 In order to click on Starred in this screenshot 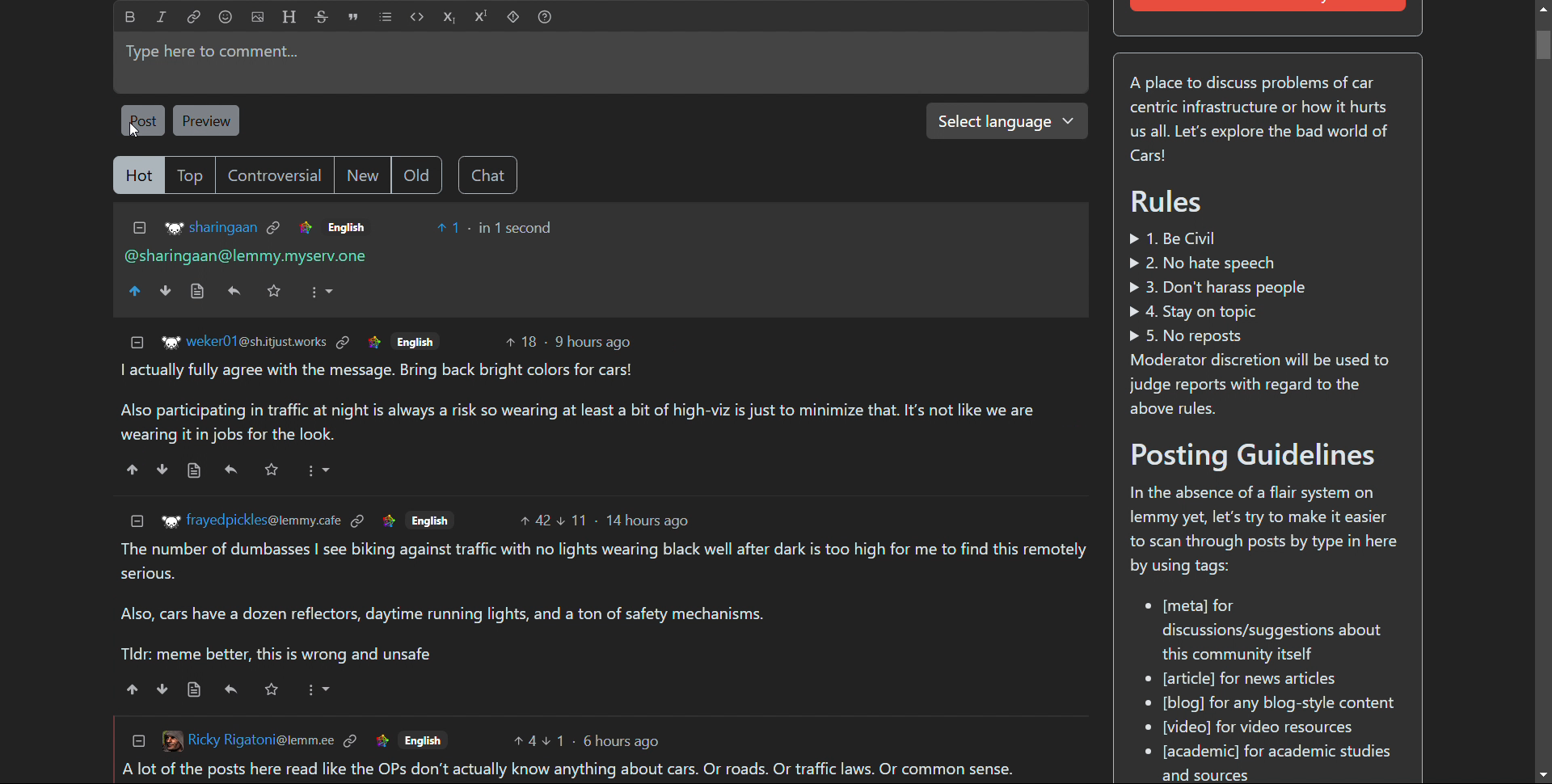, I will do `click(274, 290)`.